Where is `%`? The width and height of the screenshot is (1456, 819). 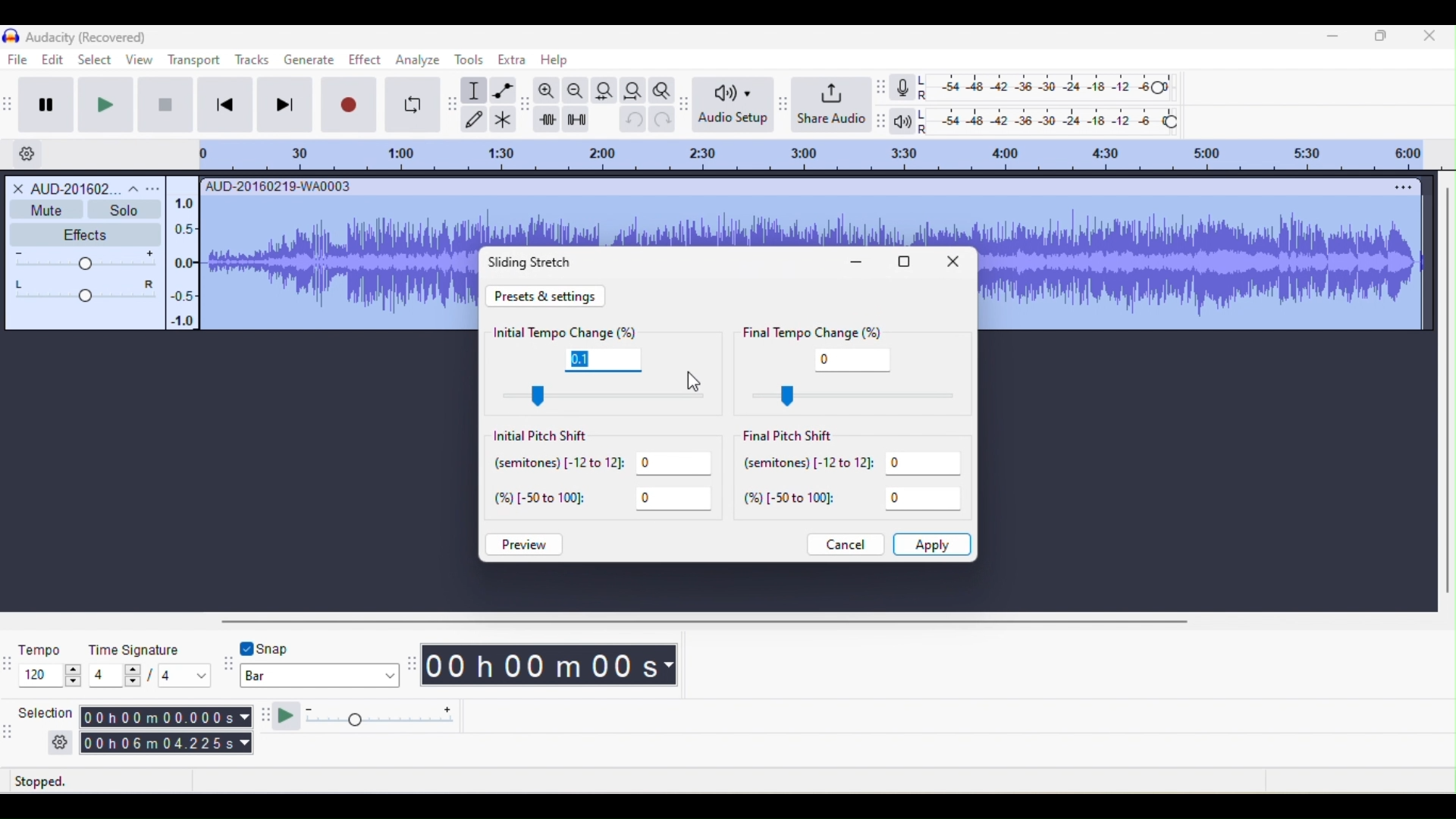 % is located at coordinates (608, 500).